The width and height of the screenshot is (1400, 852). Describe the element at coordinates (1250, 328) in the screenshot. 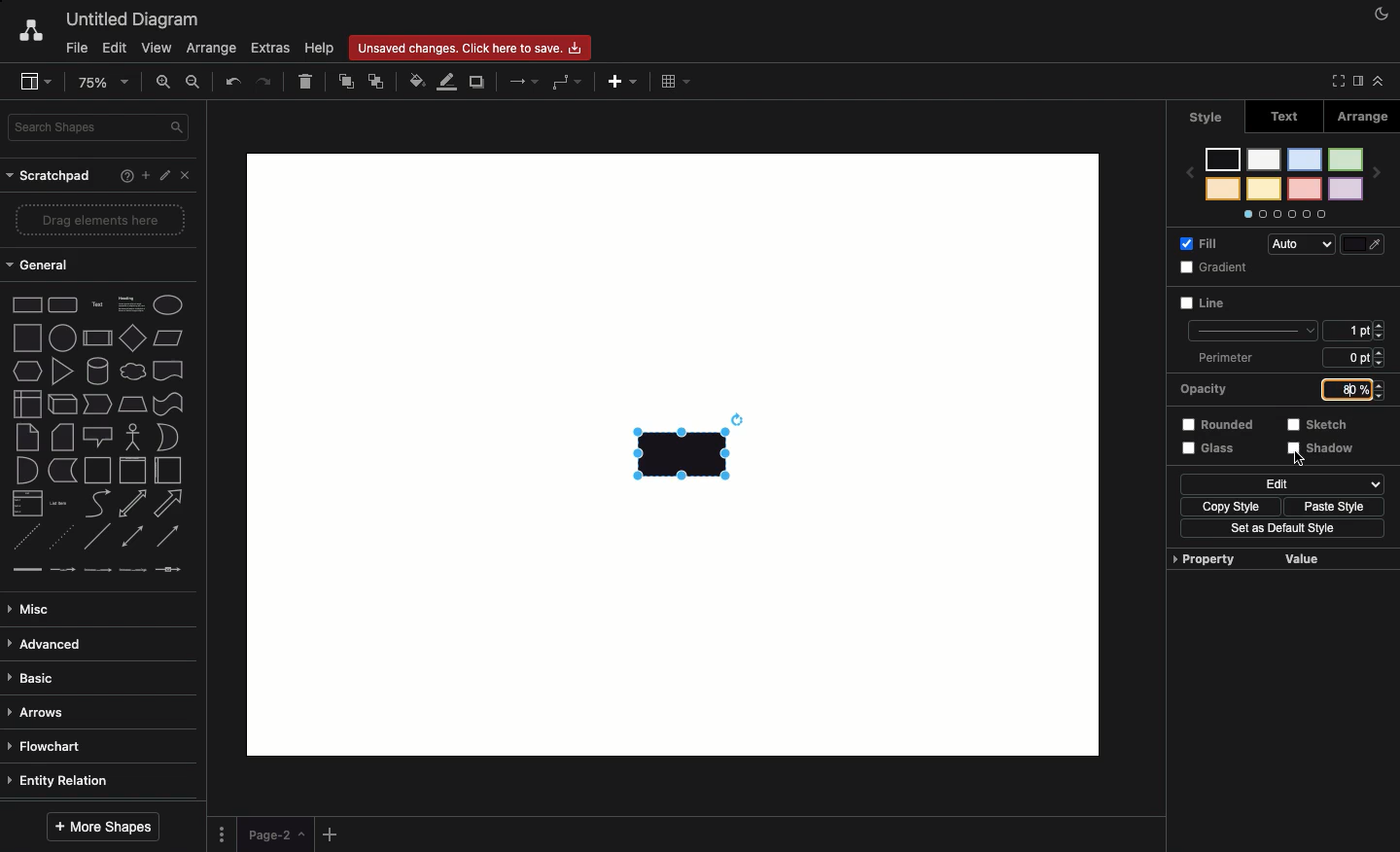

I see `line` at that location.